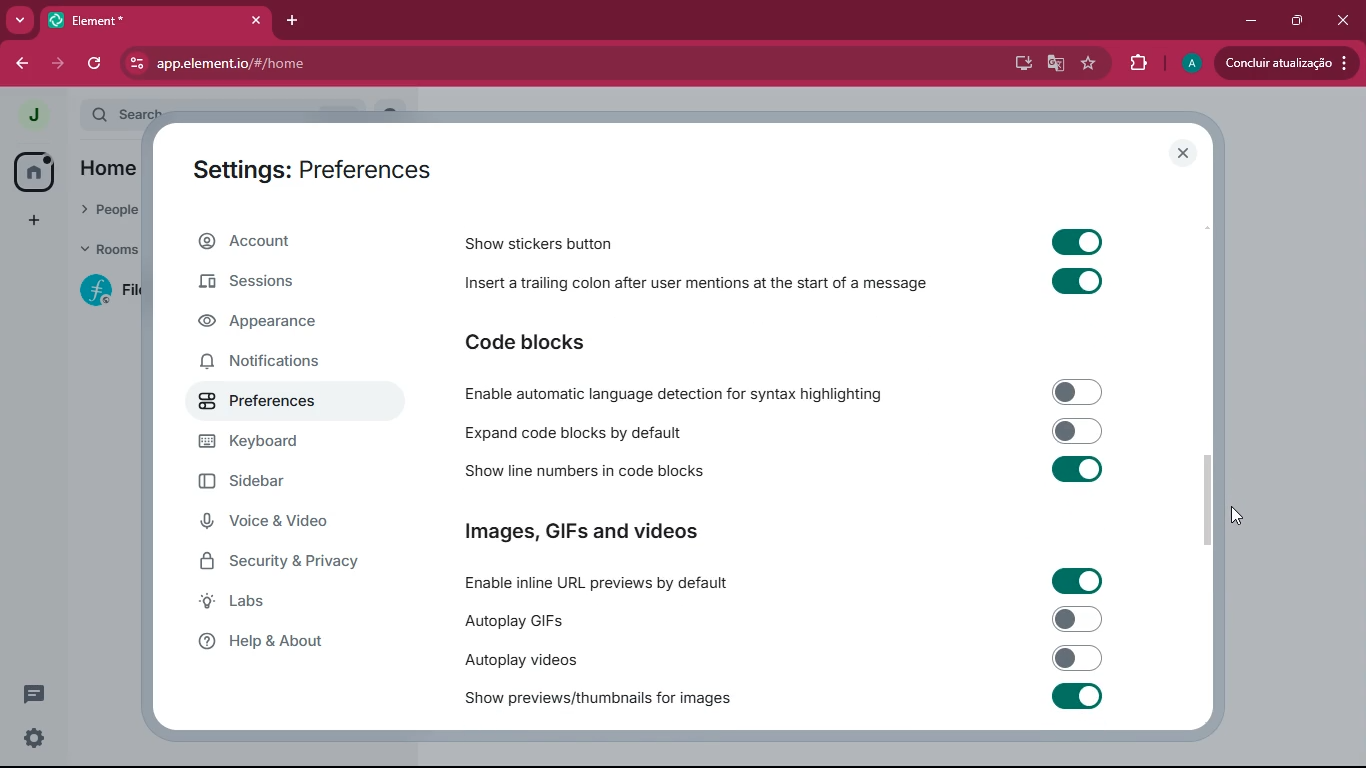 The image size is (1366, 768). Describe the element at coordinates (290, 647) in the screenshot. I see `help` at that location.